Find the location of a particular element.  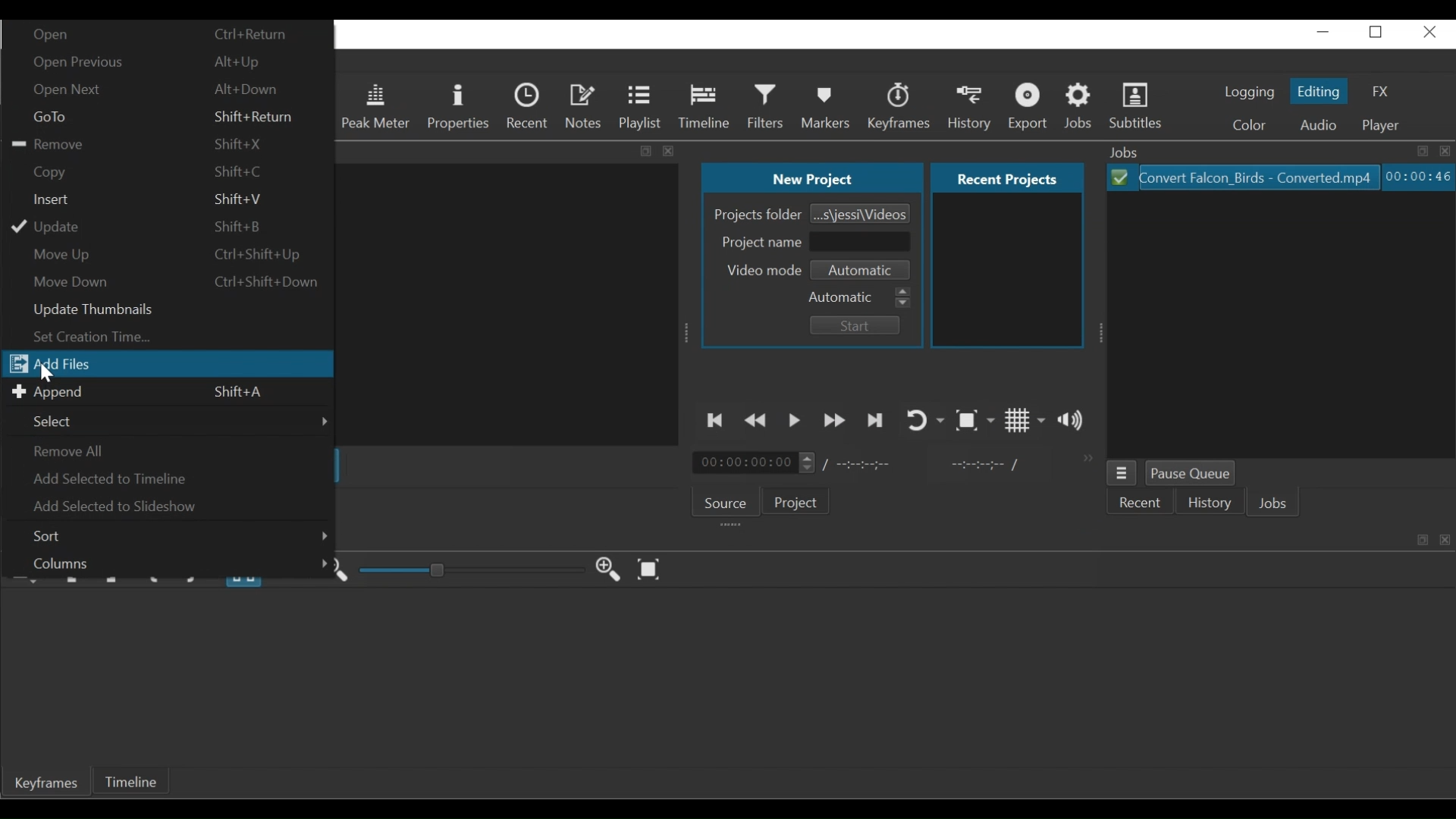

Jobs is located at coordinates (1278, 152).